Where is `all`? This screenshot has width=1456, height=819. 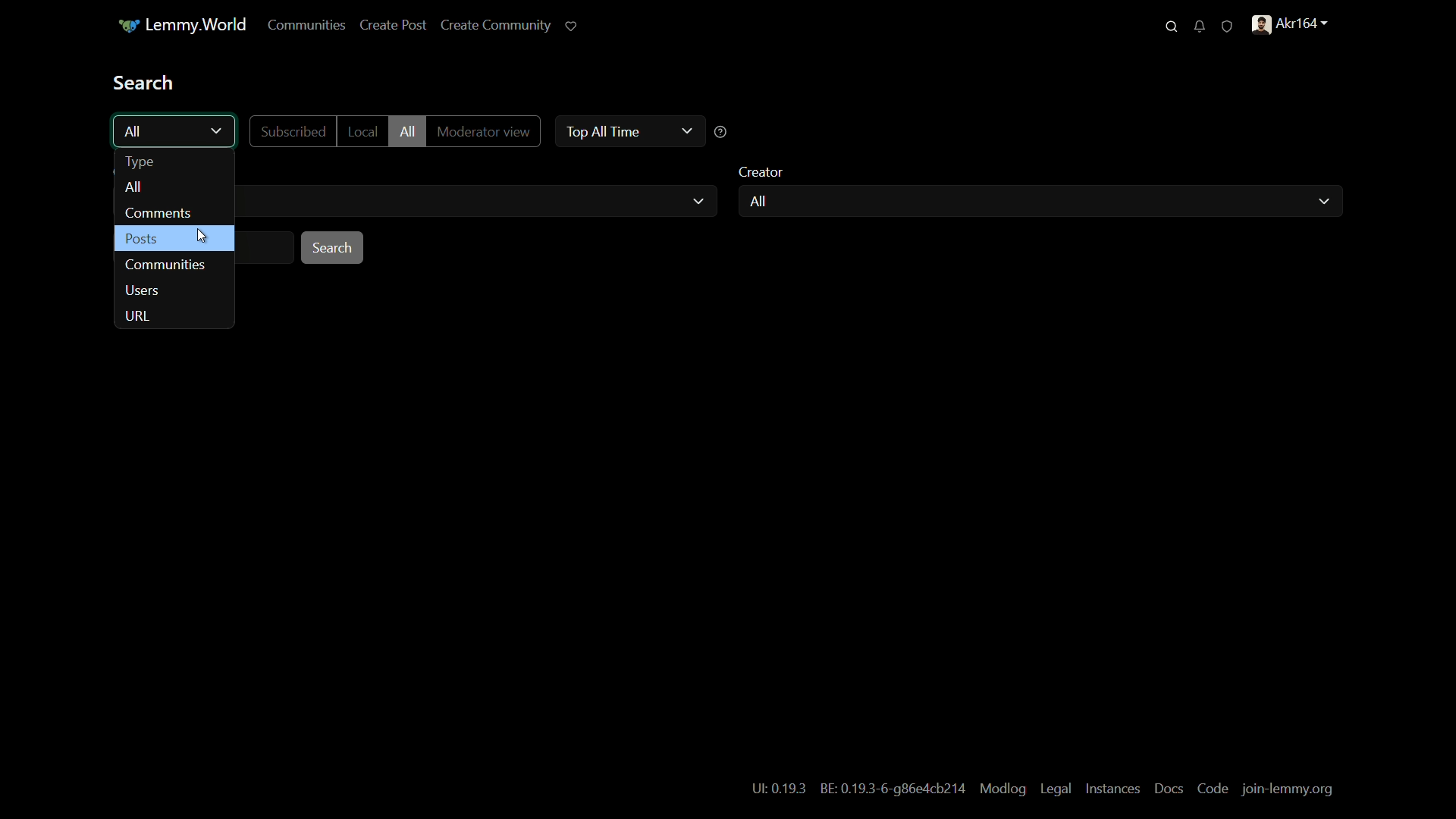
all is located at coordinates (406, 132).